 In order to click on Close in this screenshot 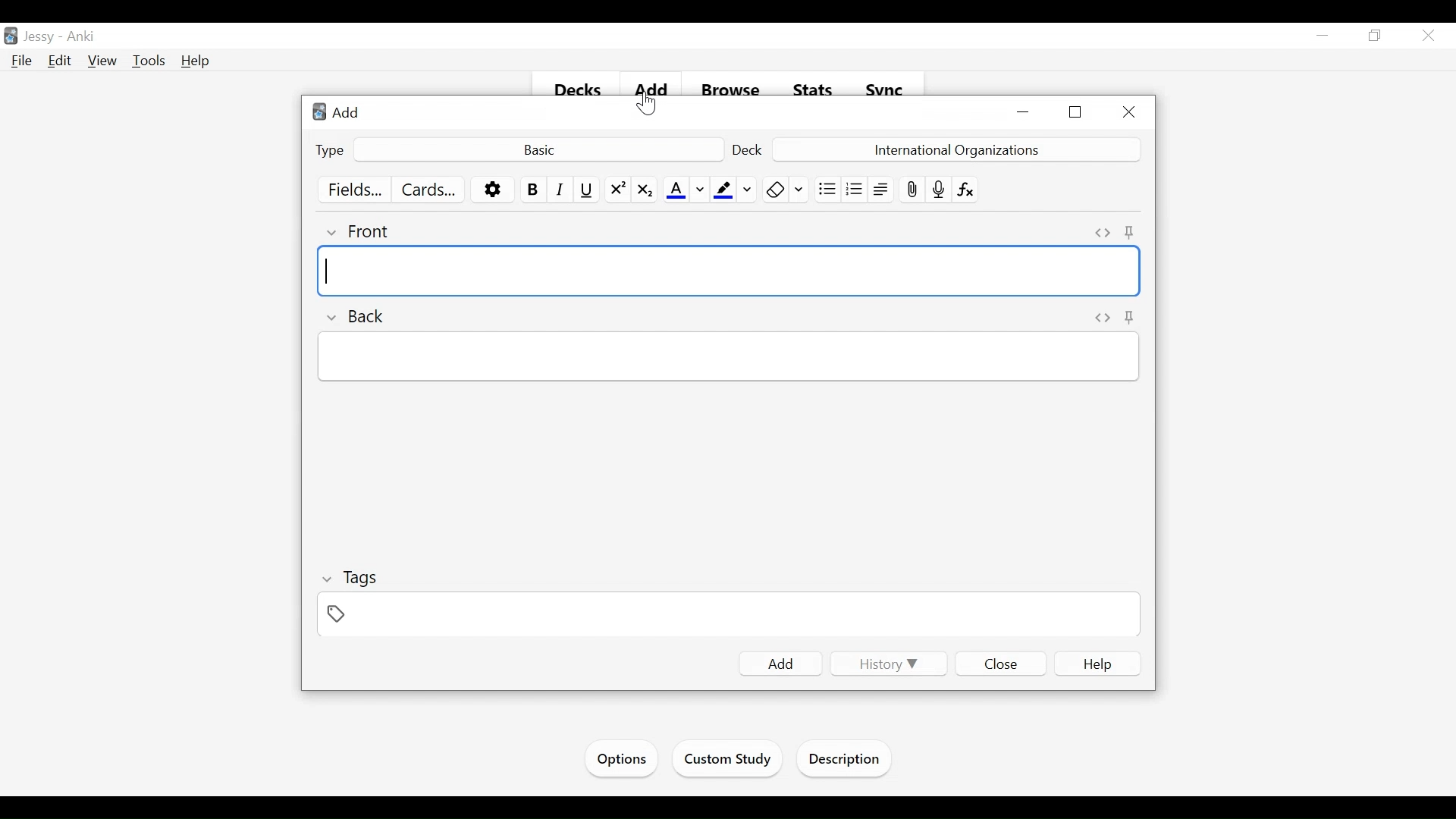, I will do `click(1430, 35)`.